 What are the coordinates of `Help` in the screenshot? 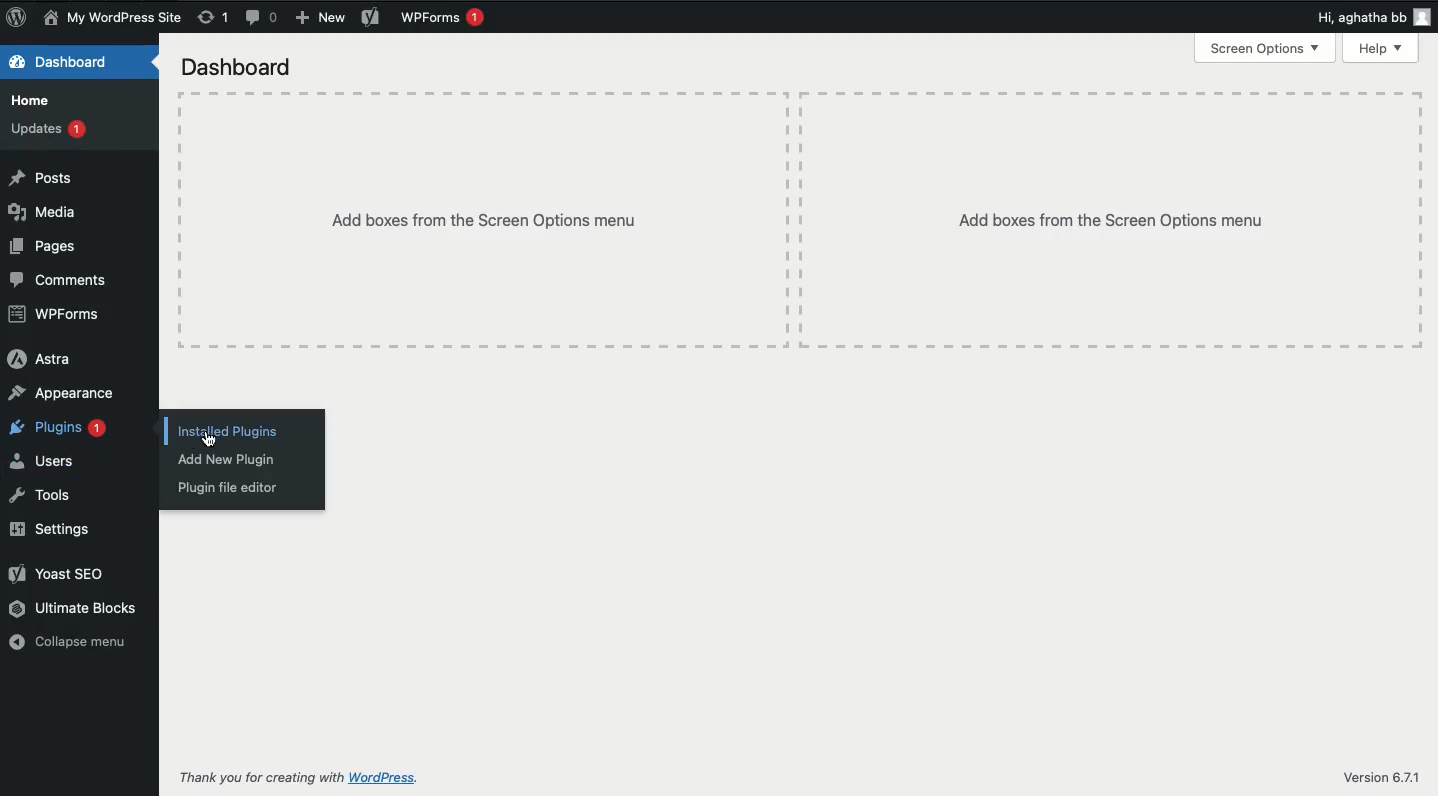 It's located at (1384, 48).